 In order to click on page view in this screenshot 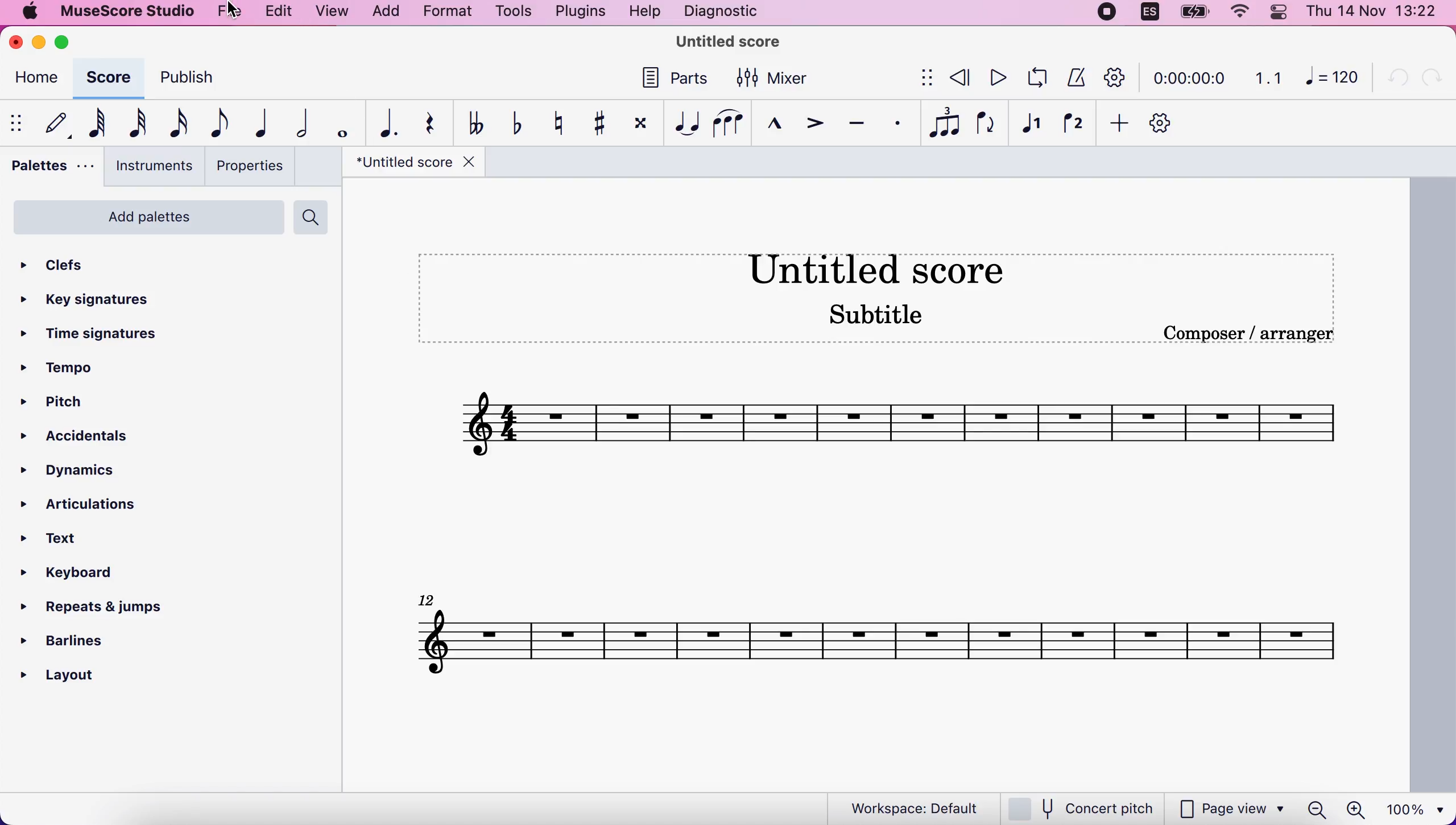, I will do `click(1232, 810)`.